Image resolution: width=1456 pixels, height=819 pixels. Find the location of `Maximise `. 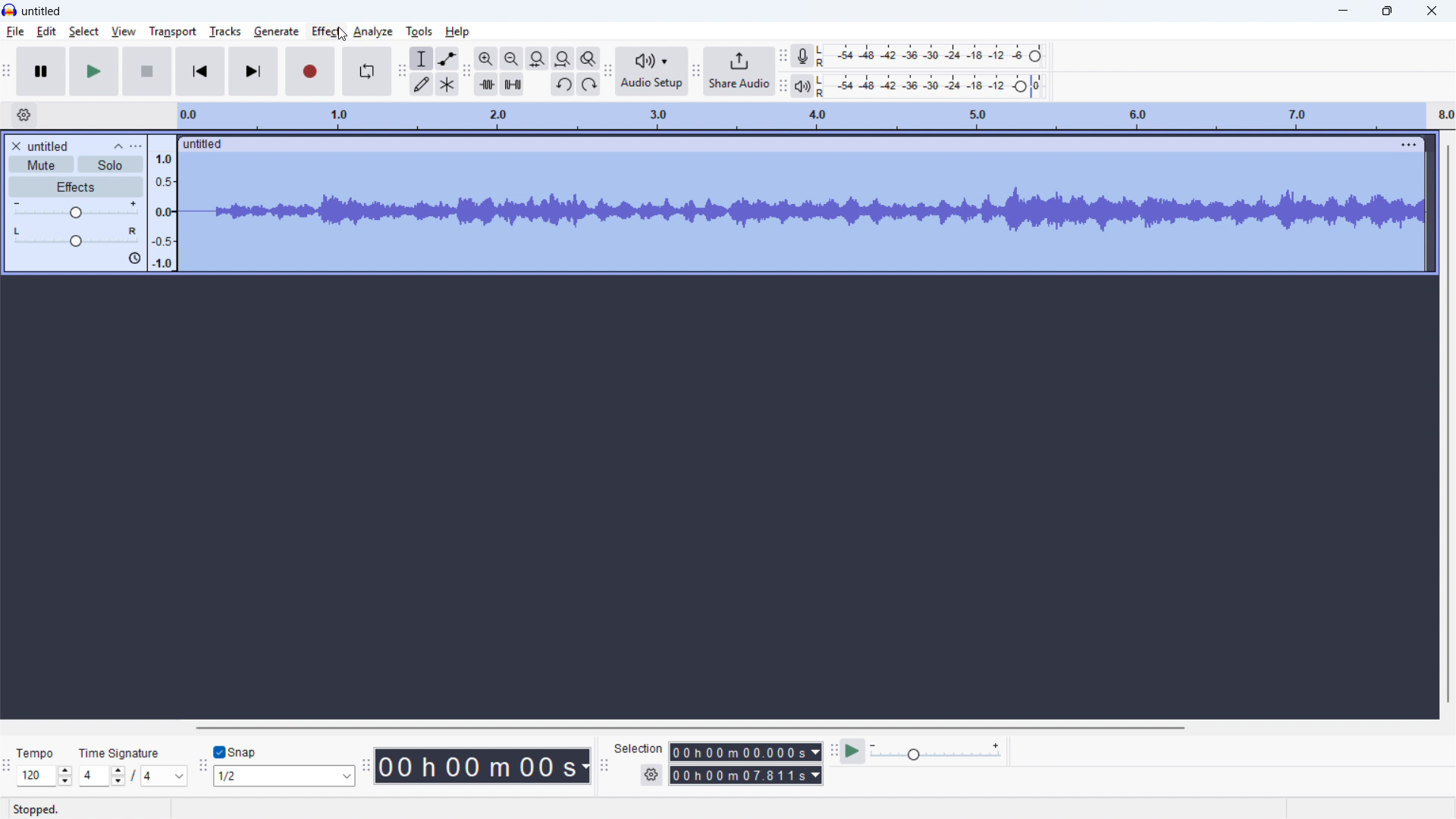

Maximise  is located at coordinates (1387, 11).